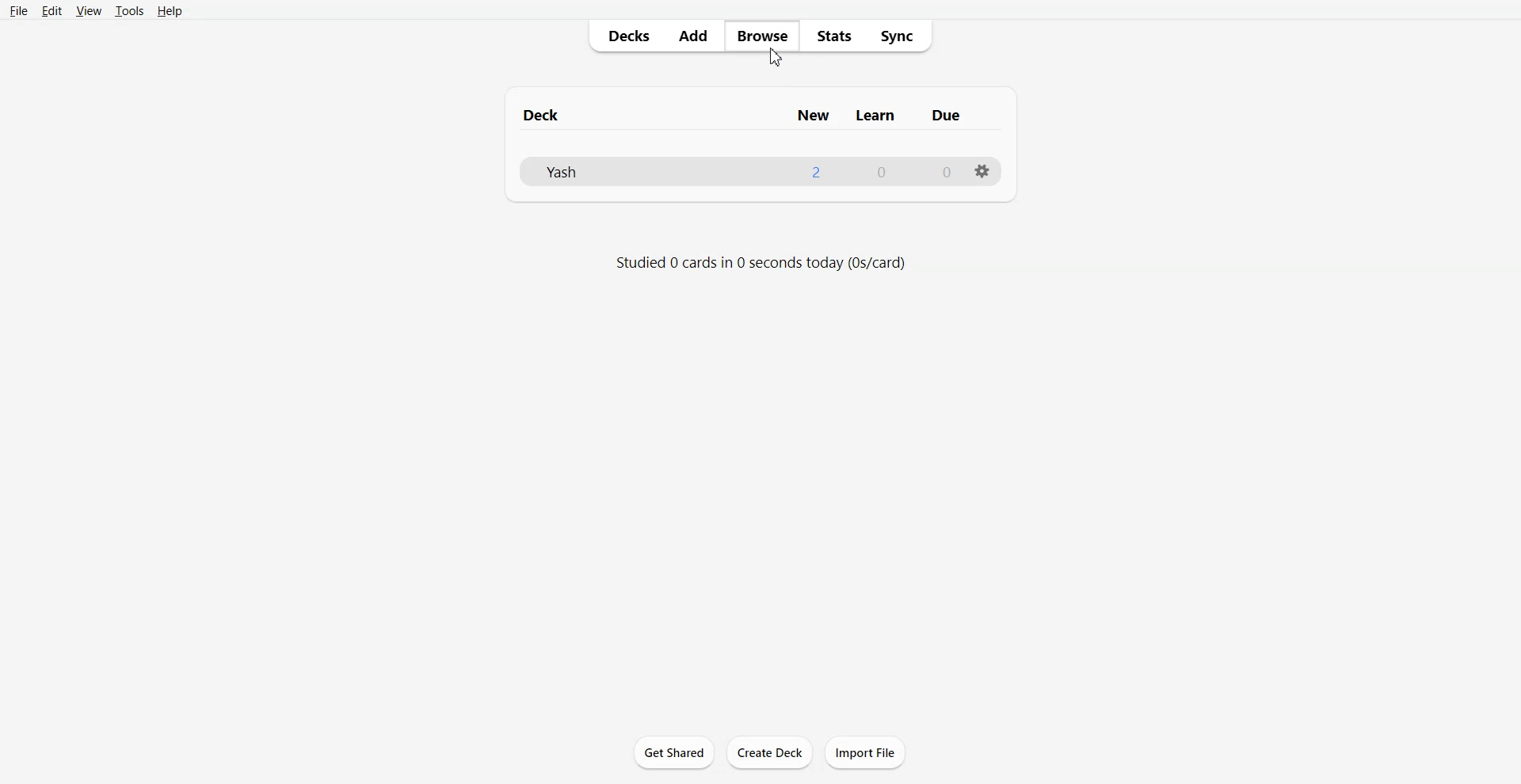  Describe the element at coordinates (624, 37) in the screenshot. I see `Decks` at that location.